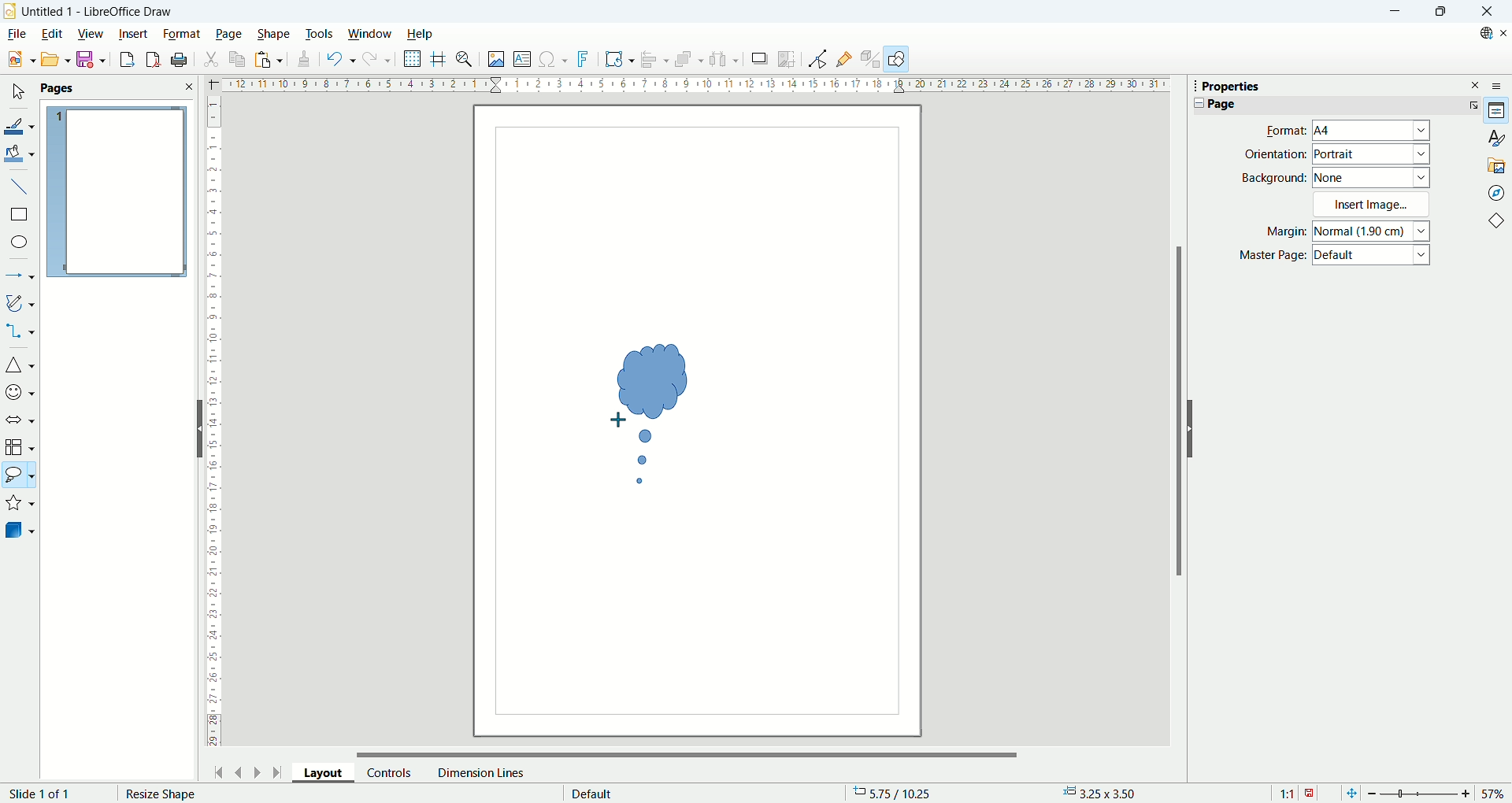 The width and height of the screenshot is (1512, 803). Describe the element at coordinates (695, 87) in the screenshot. I see `Hotizontal ruler` at that location.